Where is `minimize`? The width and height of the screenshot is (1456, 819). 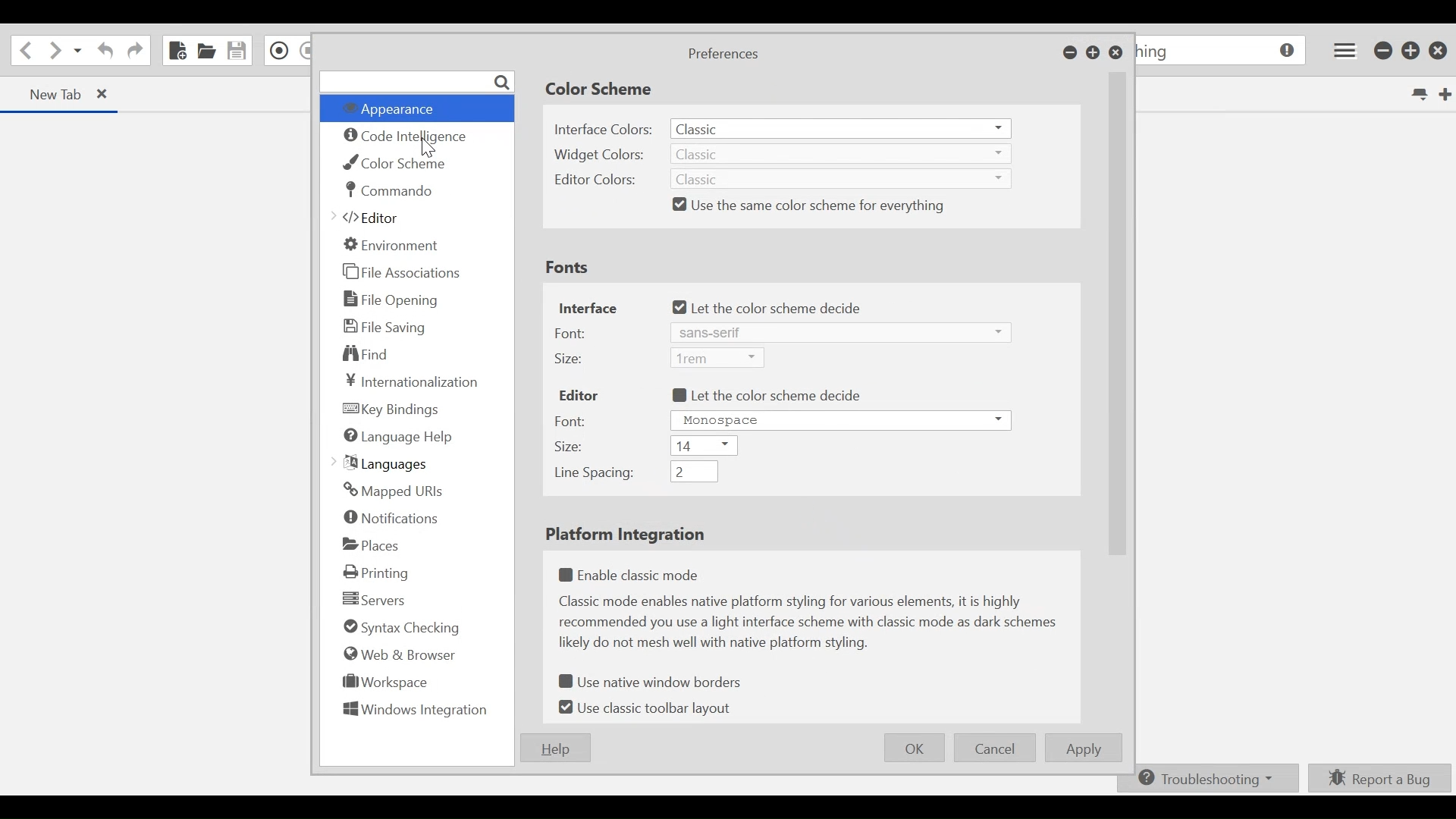 minimize is located at coordinates (1070, 54).